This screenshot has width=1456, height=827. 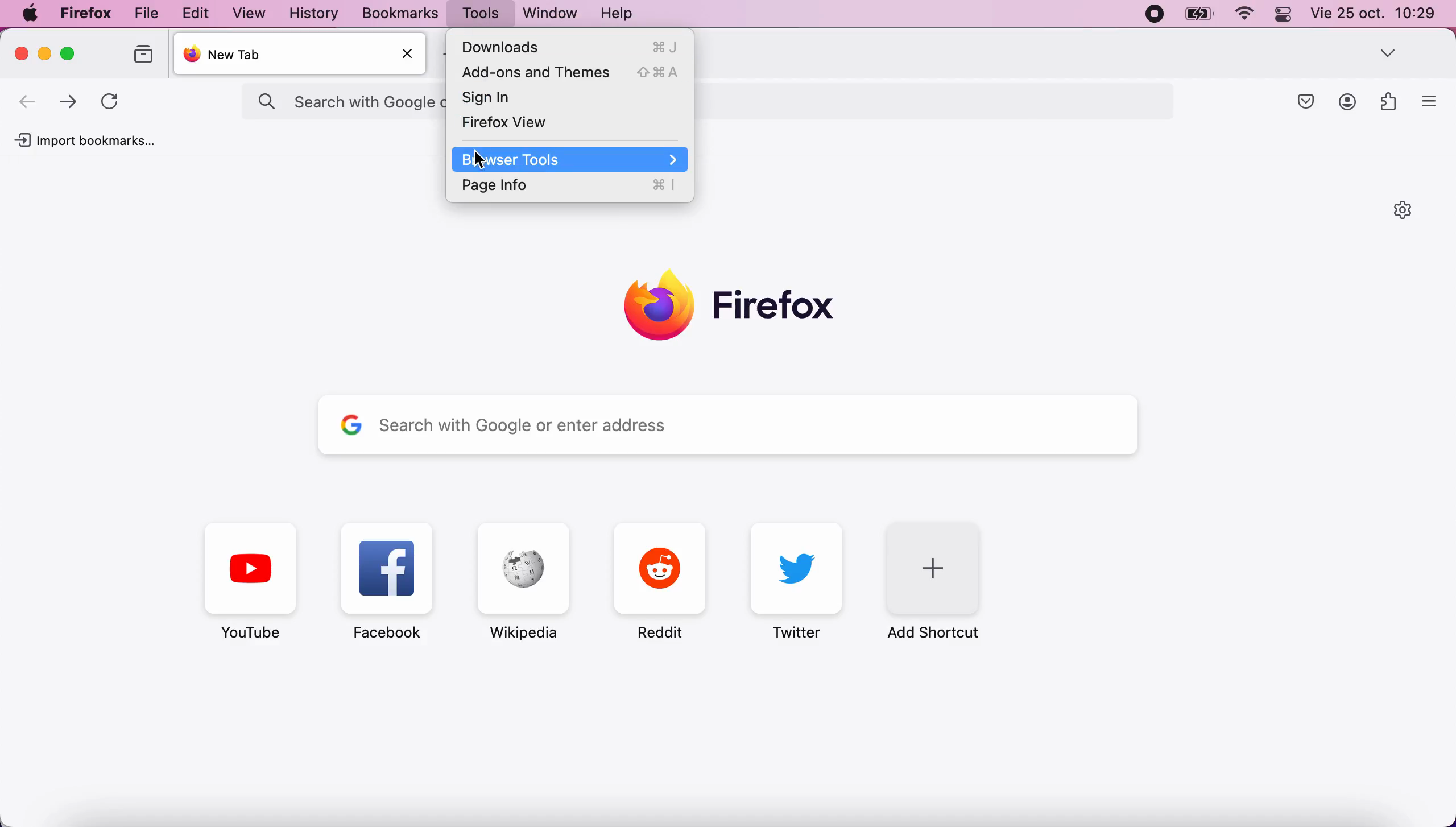 What do you see at coordinates (109, 103) in the screenshot?
I see `Refresh` at bounding box center [109, 103].